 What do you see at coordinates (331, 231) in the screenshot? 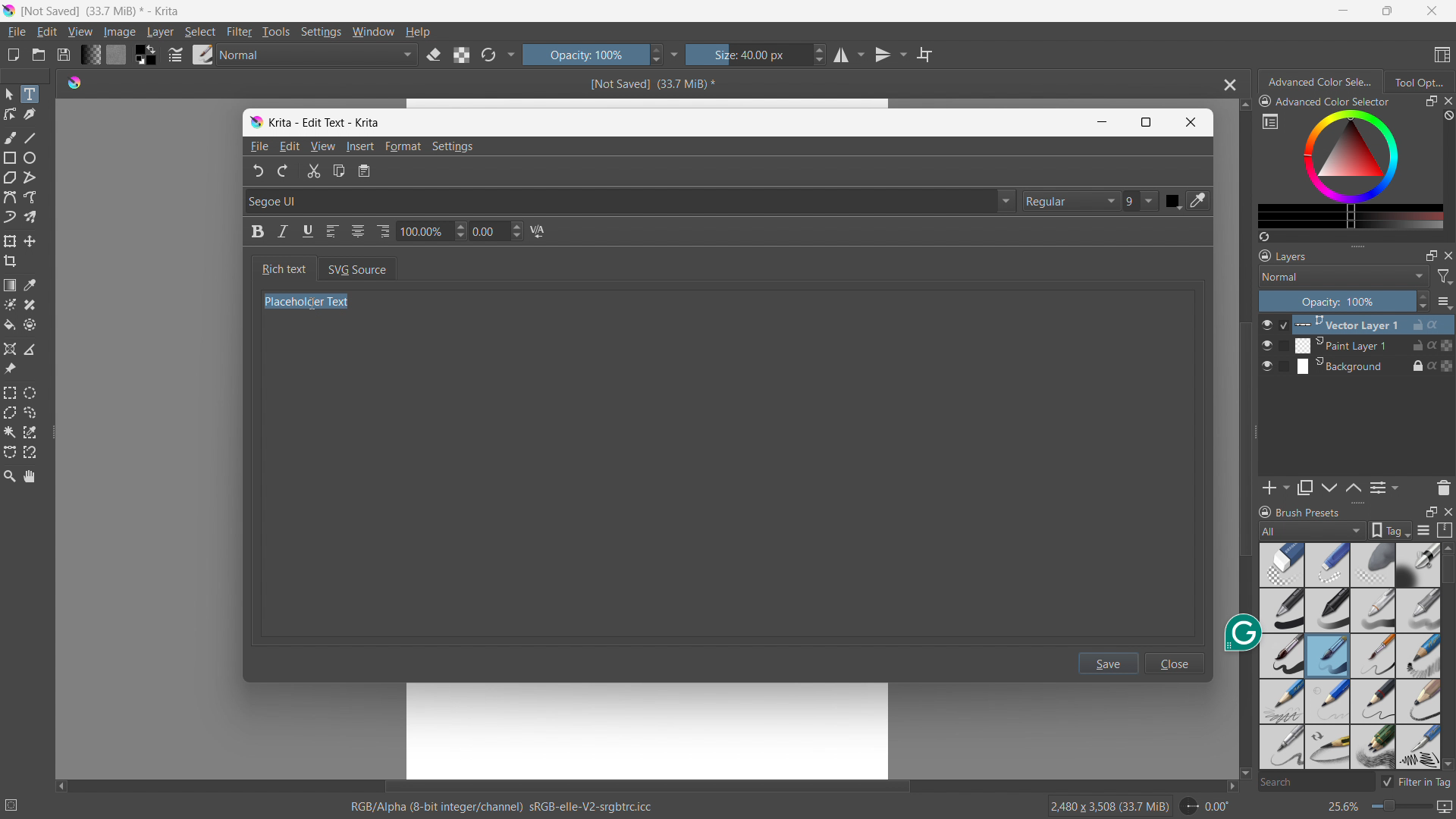
I see `align left` at bounding box center [331, 231].